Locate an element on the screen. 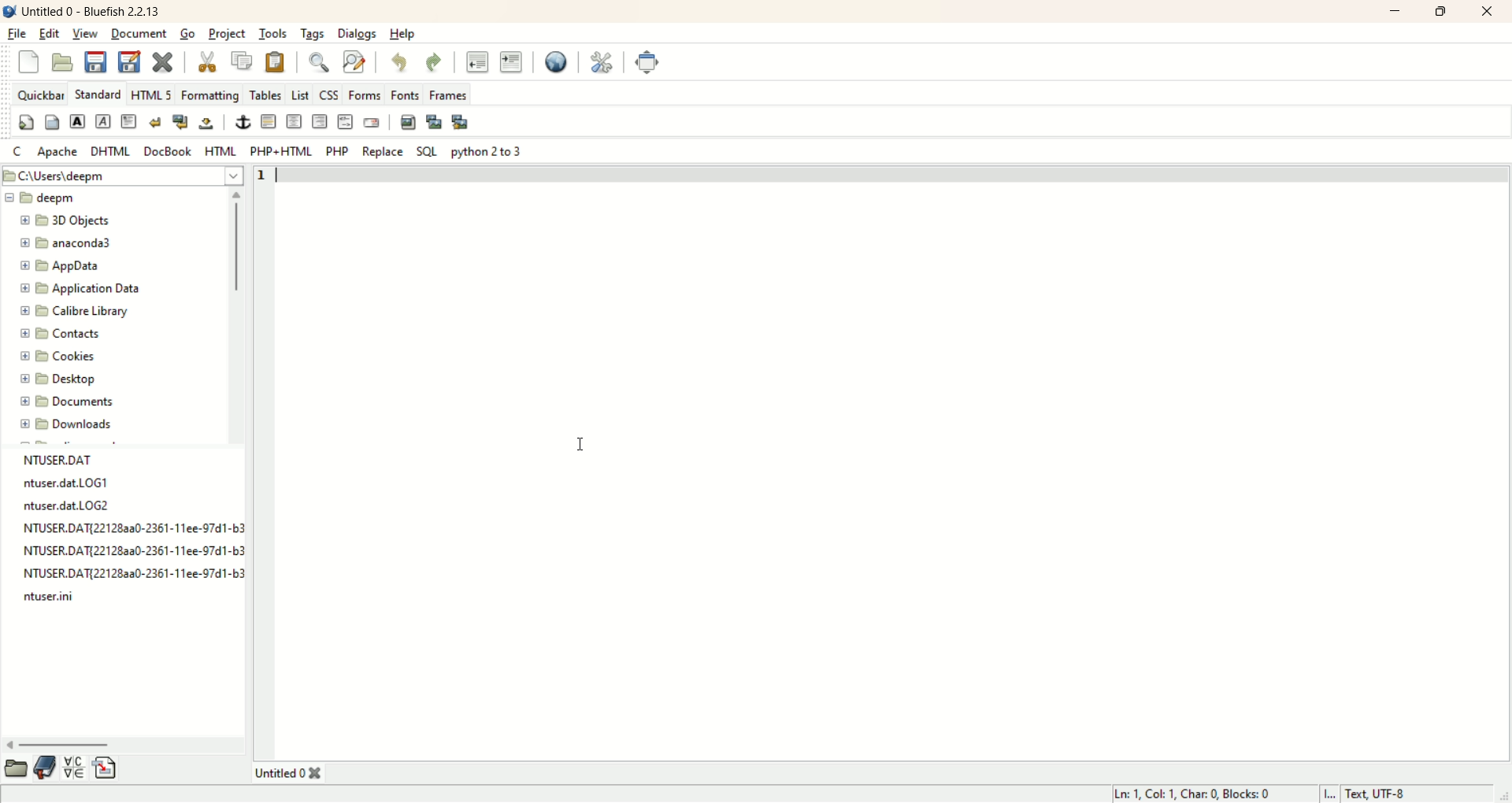 The image size is (1512, 803). PHP+HTML is located at coordinates (281, 152).